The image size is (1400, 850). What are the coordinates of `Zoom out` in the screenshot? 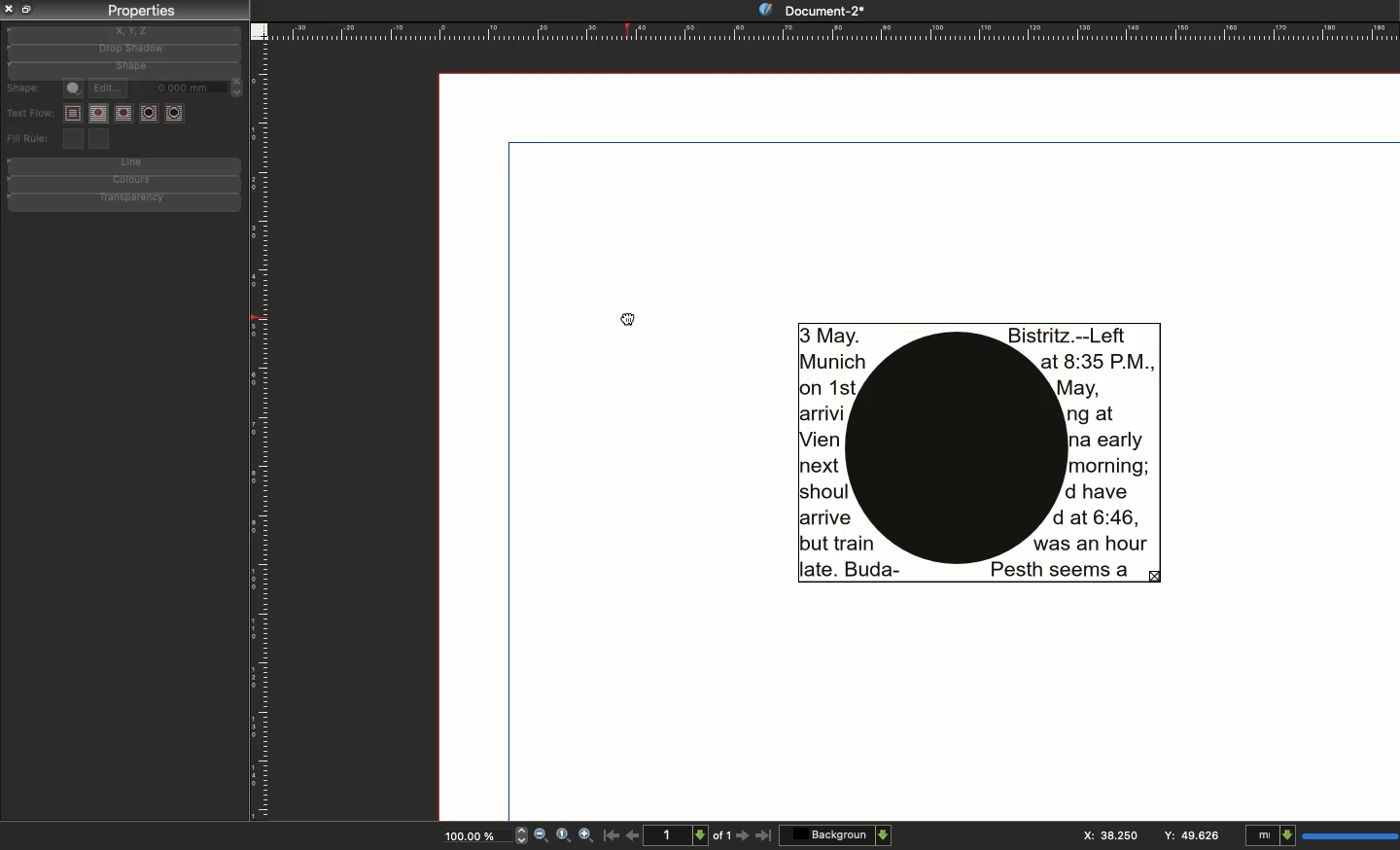 It's located at (542, 834).